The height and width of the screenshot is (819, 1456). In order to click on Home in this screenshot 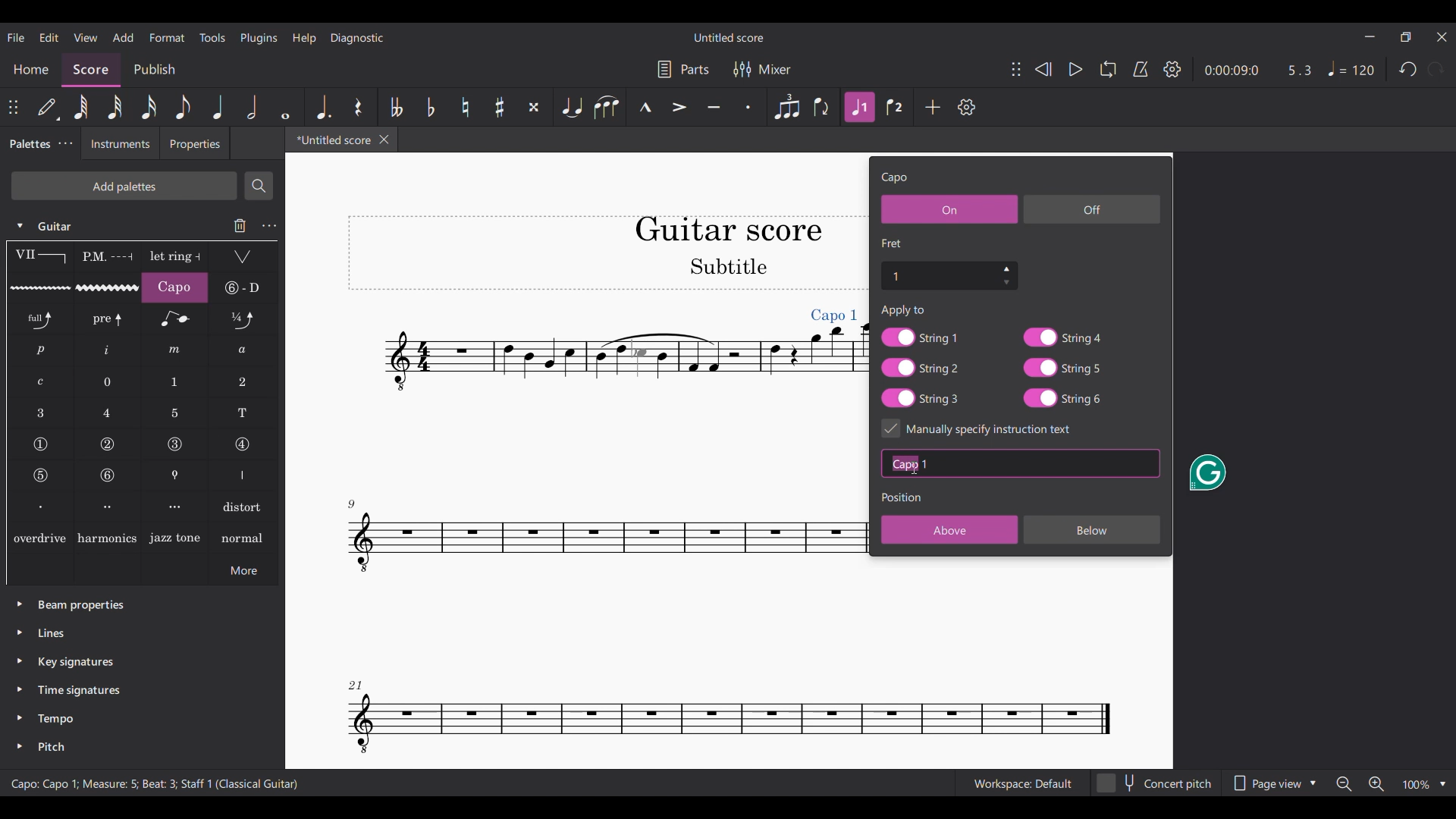, I will do `click(30, 70)`.